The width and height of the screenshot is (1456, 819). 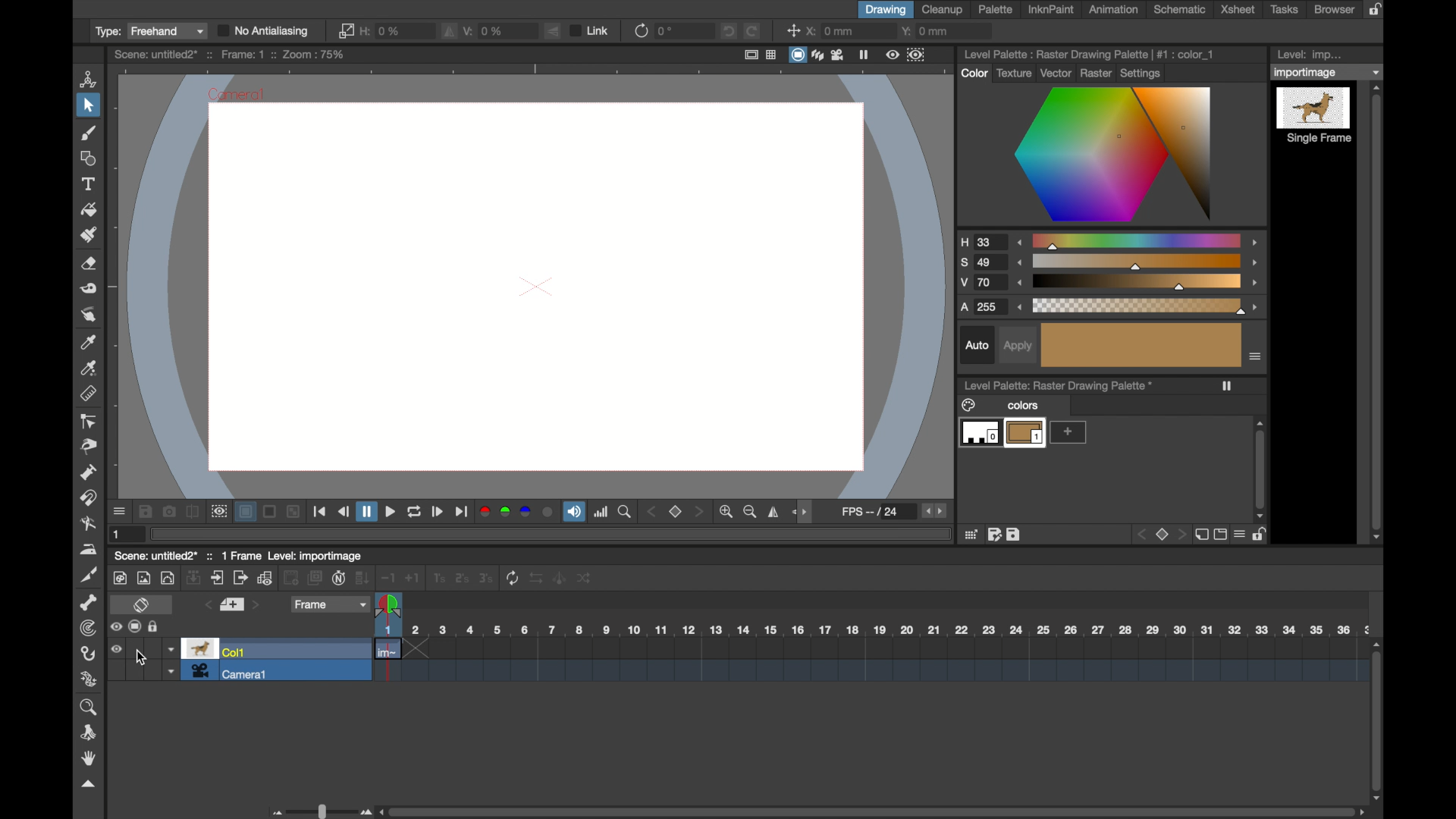 What do you see at coordinates (1315, 116) in the screenshot?
I see `level` at bounding box center [1315, 116].